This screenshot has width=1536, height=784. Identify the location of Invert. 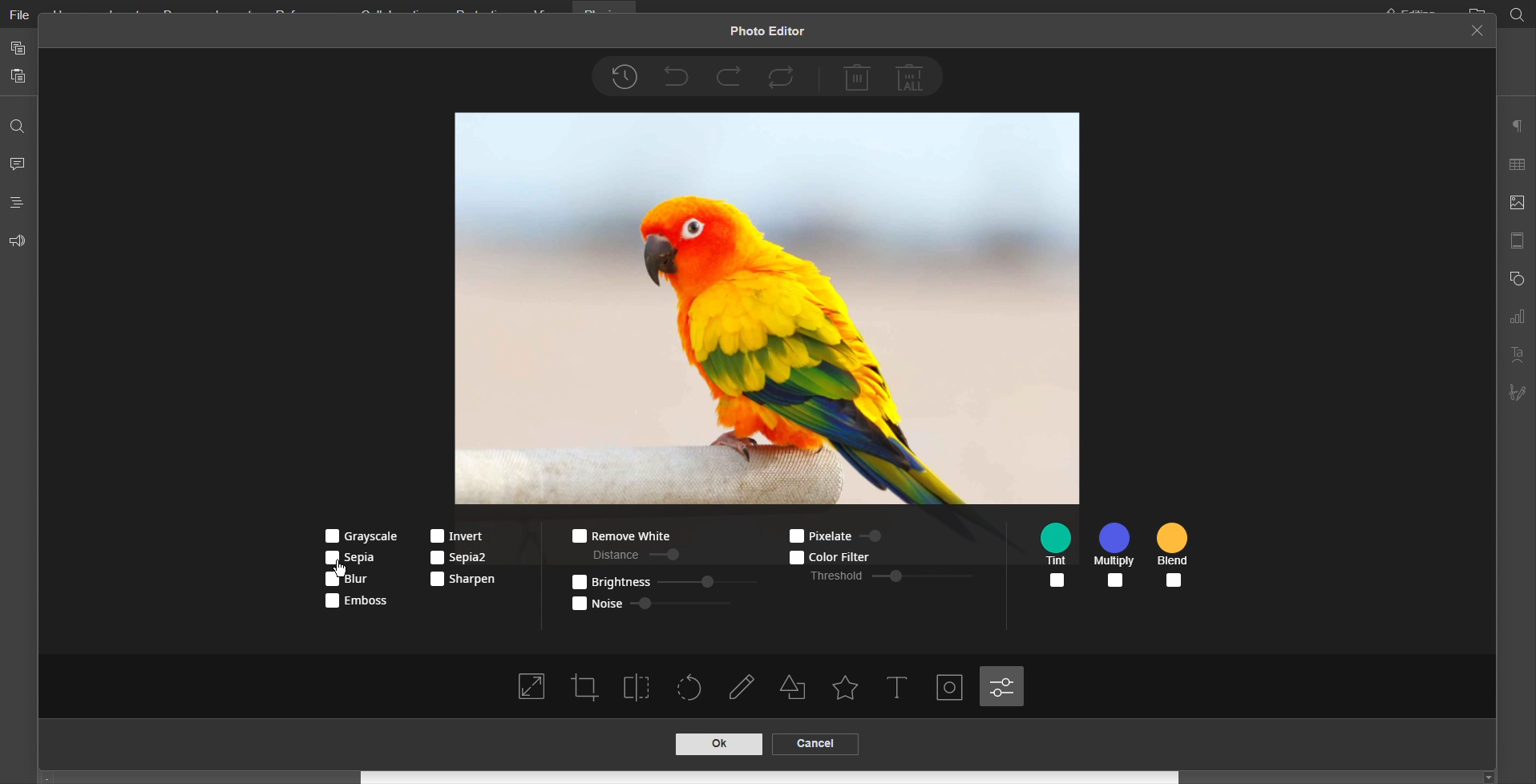
(459, 535).